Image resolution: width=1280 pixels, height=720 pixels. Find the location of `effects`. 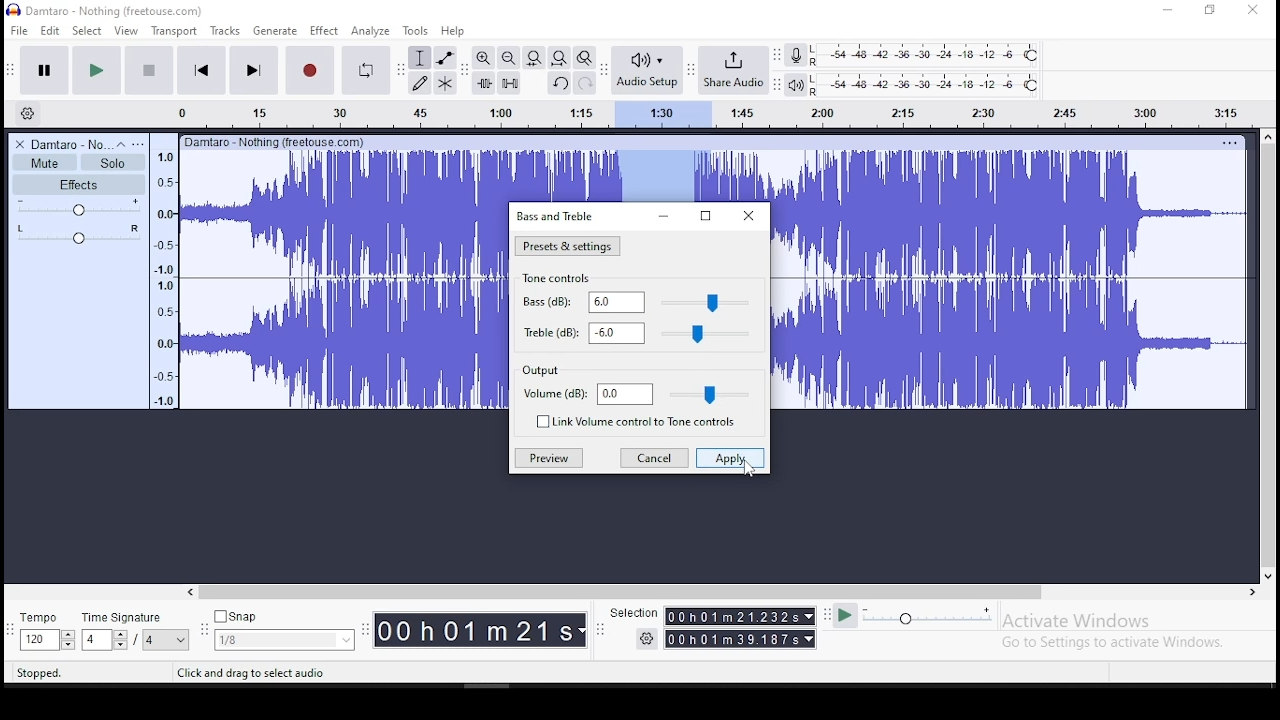

effects is located at coordinates (79, 184).